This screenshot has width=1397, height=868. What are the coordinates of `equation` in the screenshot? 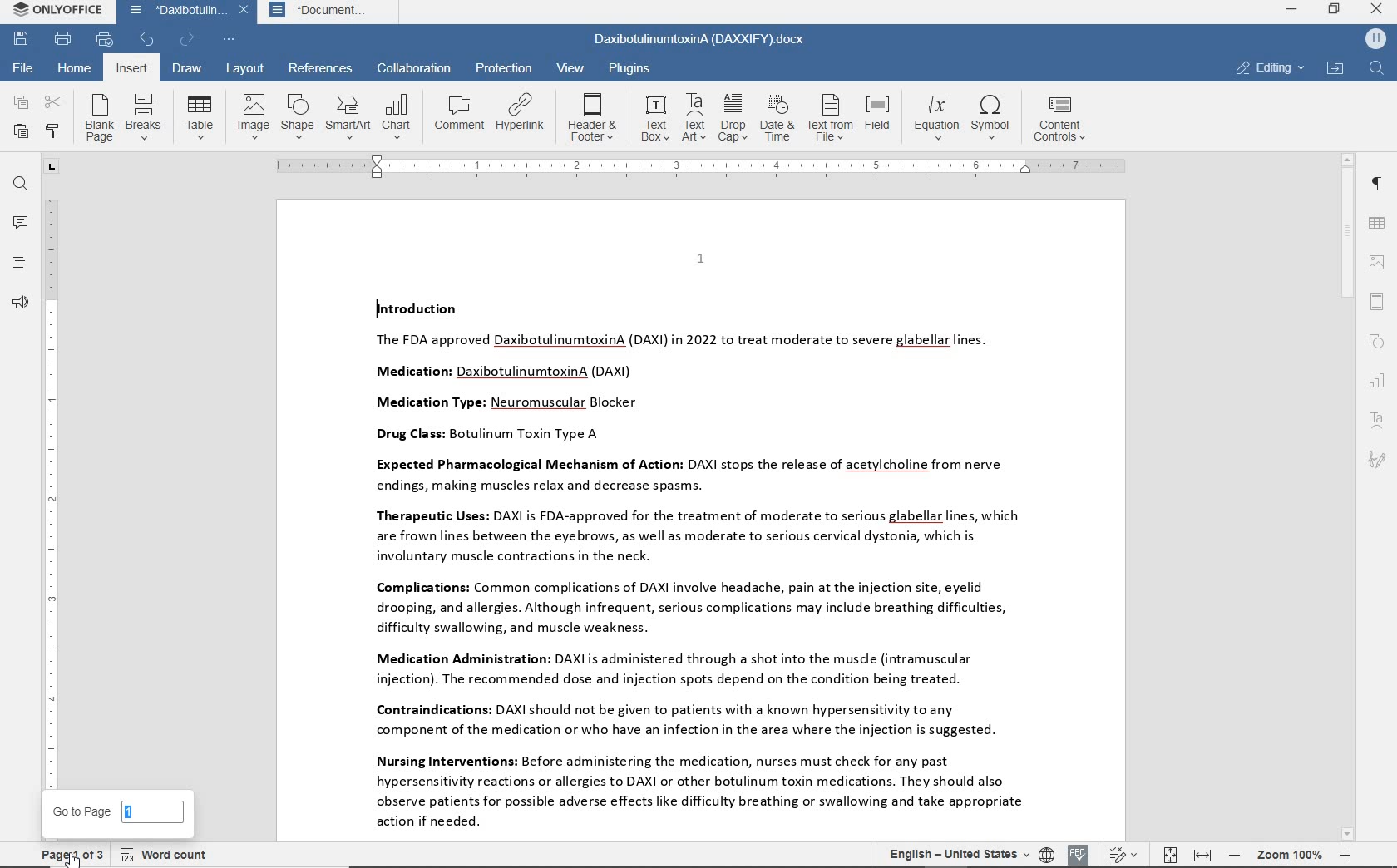 It's located at (934, 117).